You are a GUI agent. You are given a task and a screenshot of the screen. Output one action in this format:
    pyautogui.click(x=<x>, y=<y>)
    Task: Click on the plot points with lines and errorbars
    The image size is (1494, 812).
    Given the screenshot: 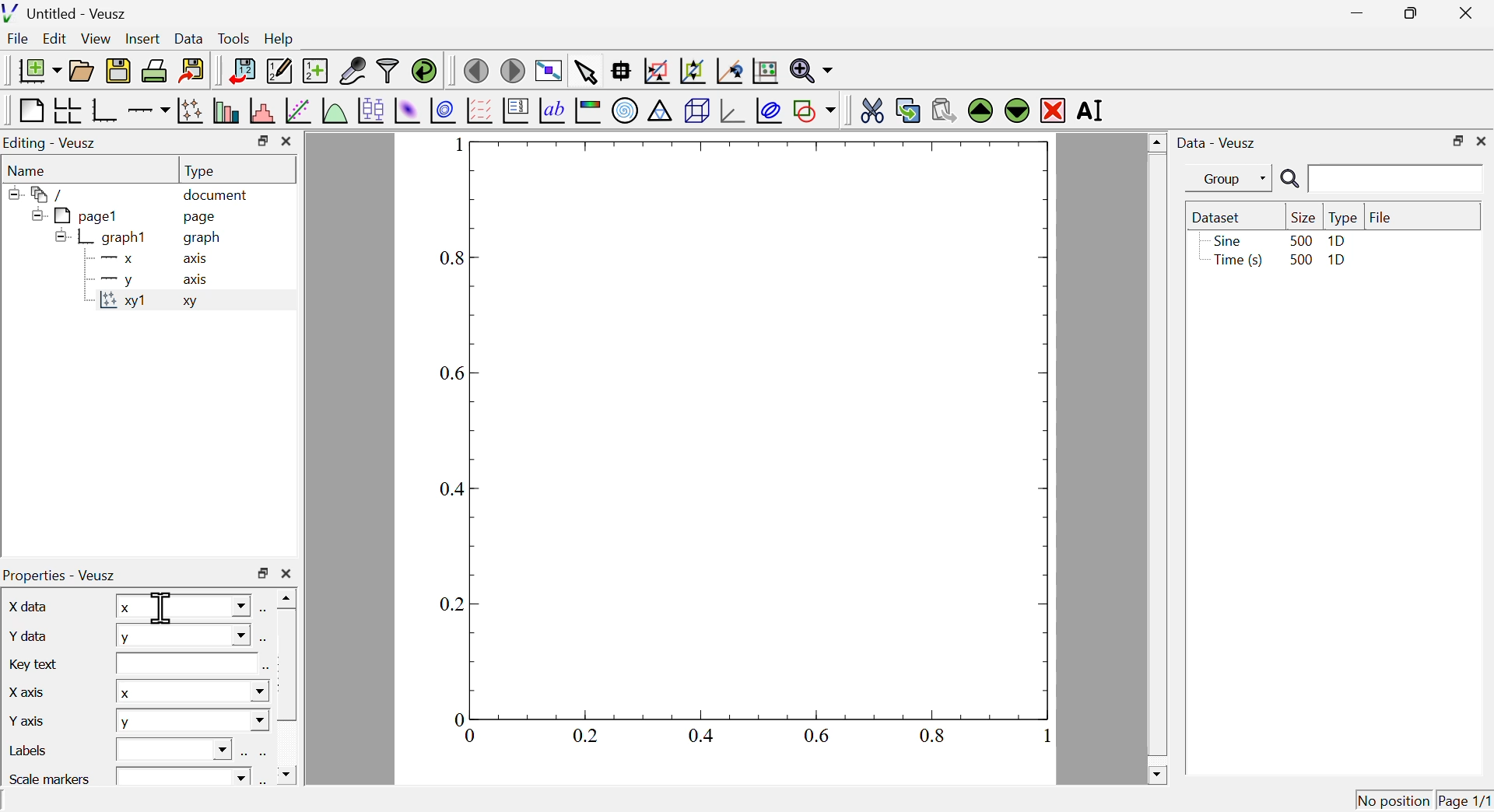 What is the action you would take?
    pyautogui.click(x=190, y=110)
    